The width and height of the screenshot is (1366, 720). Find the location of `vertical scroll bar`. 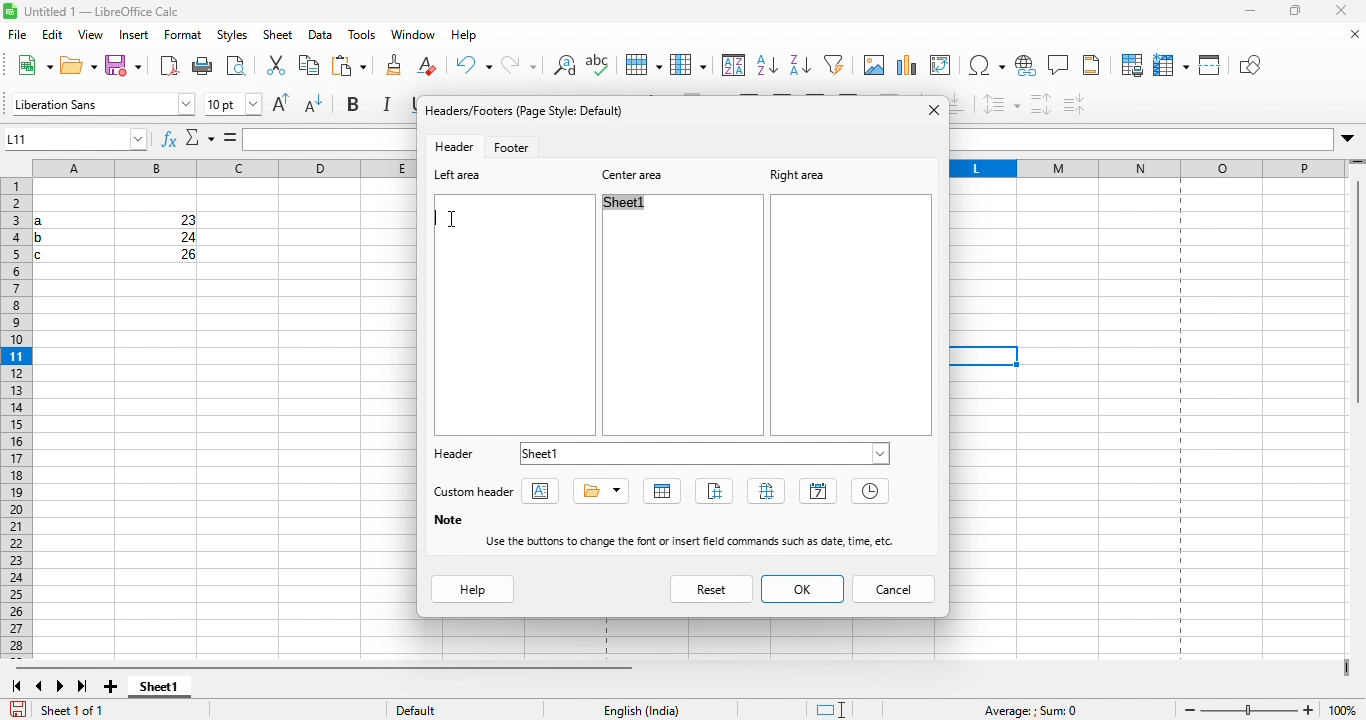

vertical scroll bar is located at coordinates (1355, 293).